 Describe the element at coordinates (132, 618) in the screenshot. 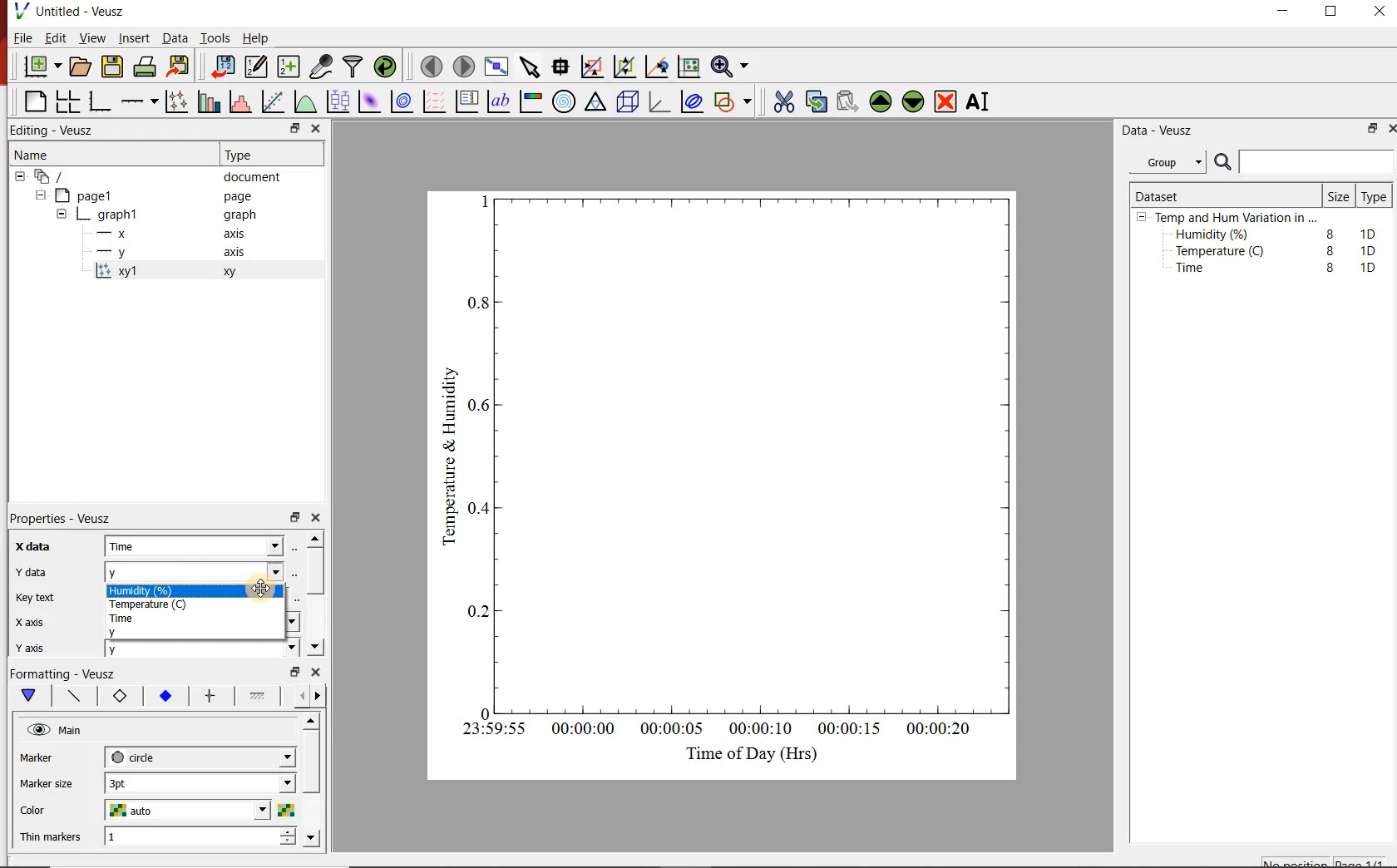

I see `Time` at that location.